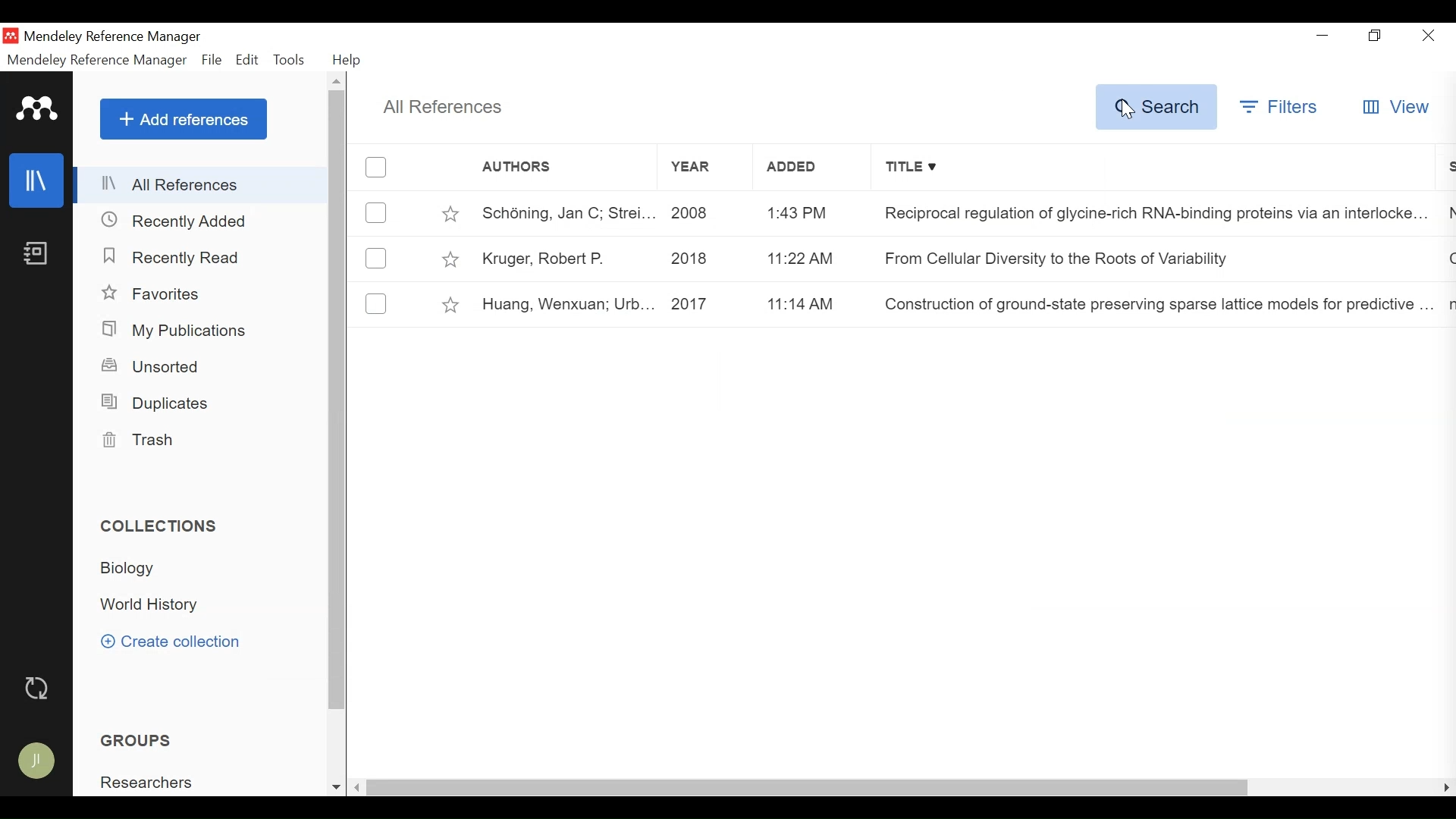 This screenshot has width=1456, height=819. What do you see at coordinates (152, 367) in the screenshot?
I see `Unsorted` at bounding box center [152, 367].